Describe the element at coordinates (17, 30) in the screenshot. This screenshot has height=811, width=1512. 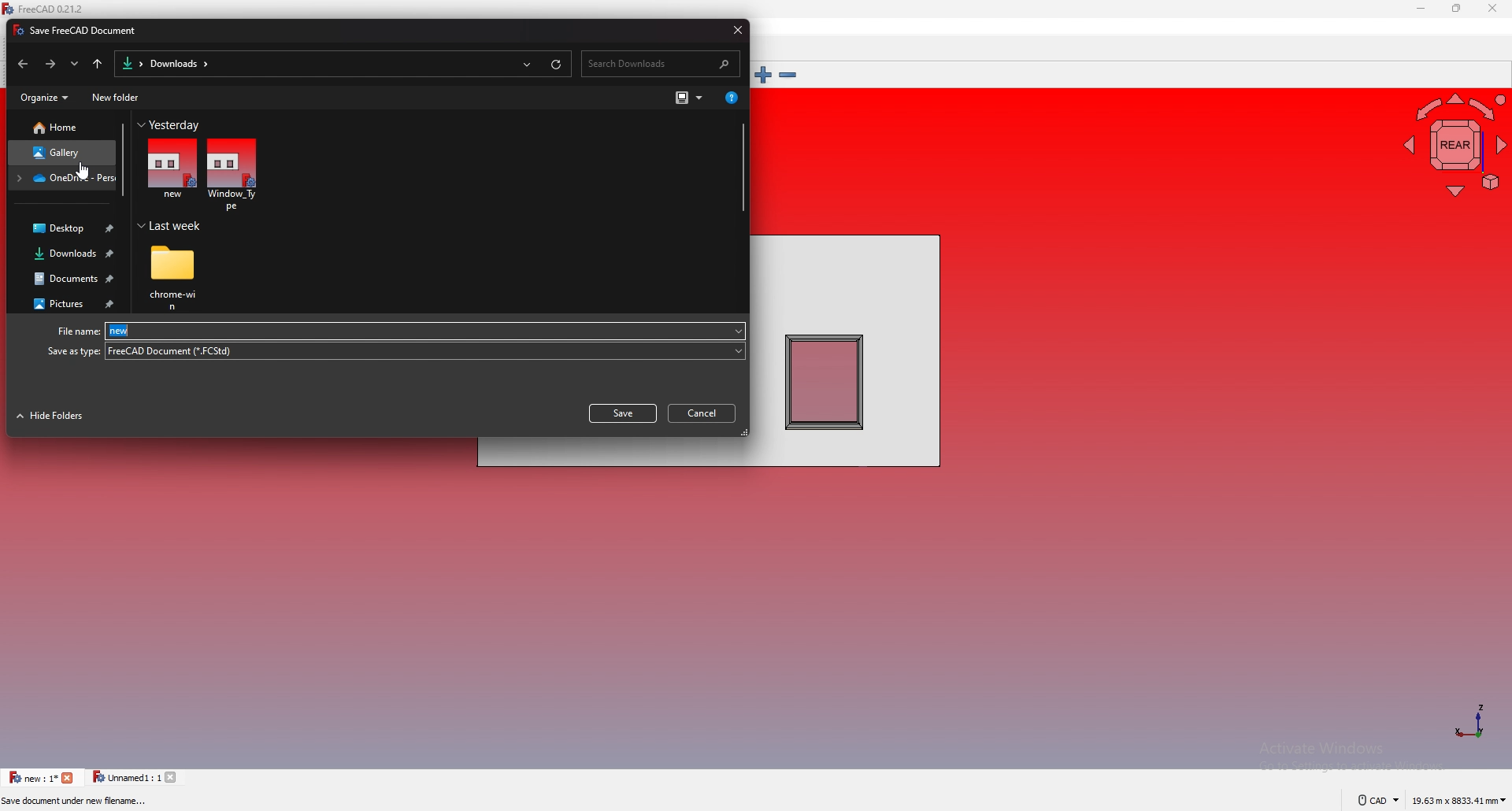
I see `icon` at that location.